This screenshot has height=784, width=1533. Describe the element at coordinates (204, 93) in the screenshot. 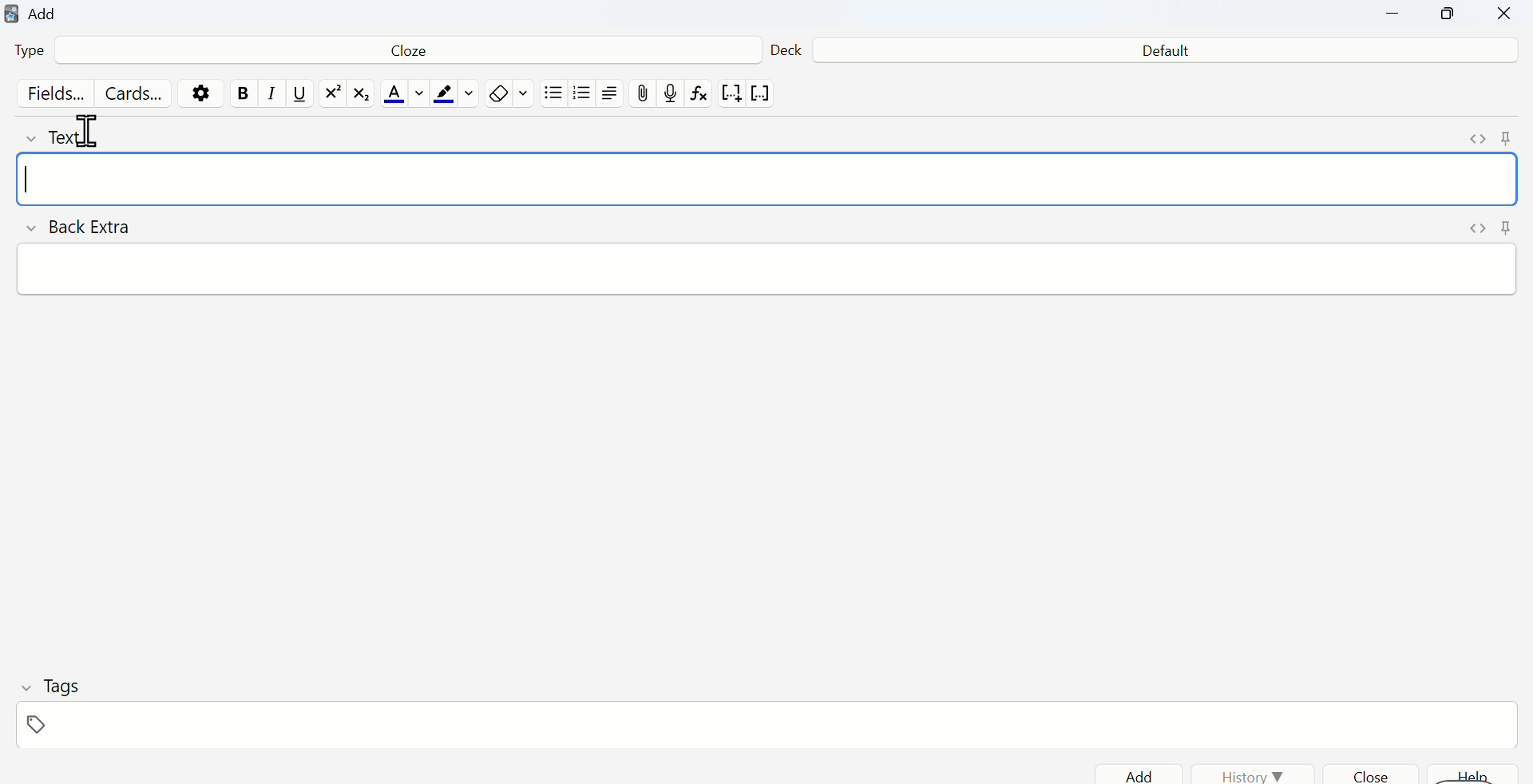

I see `Settings` at that location.